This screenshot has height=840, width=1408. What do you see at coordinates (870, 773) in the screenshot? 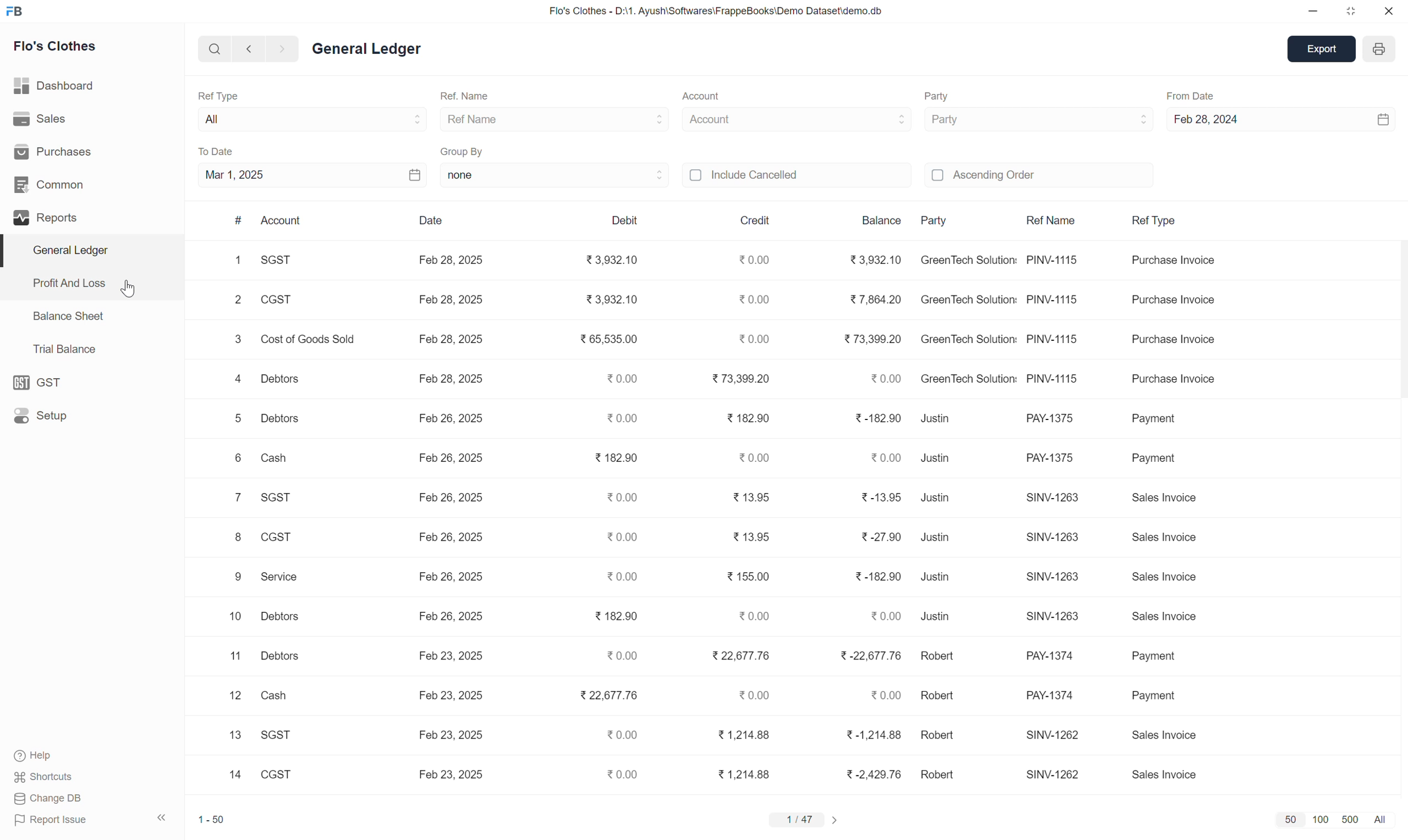
I see `₹-2429.76` at bounding box center [870, 773].